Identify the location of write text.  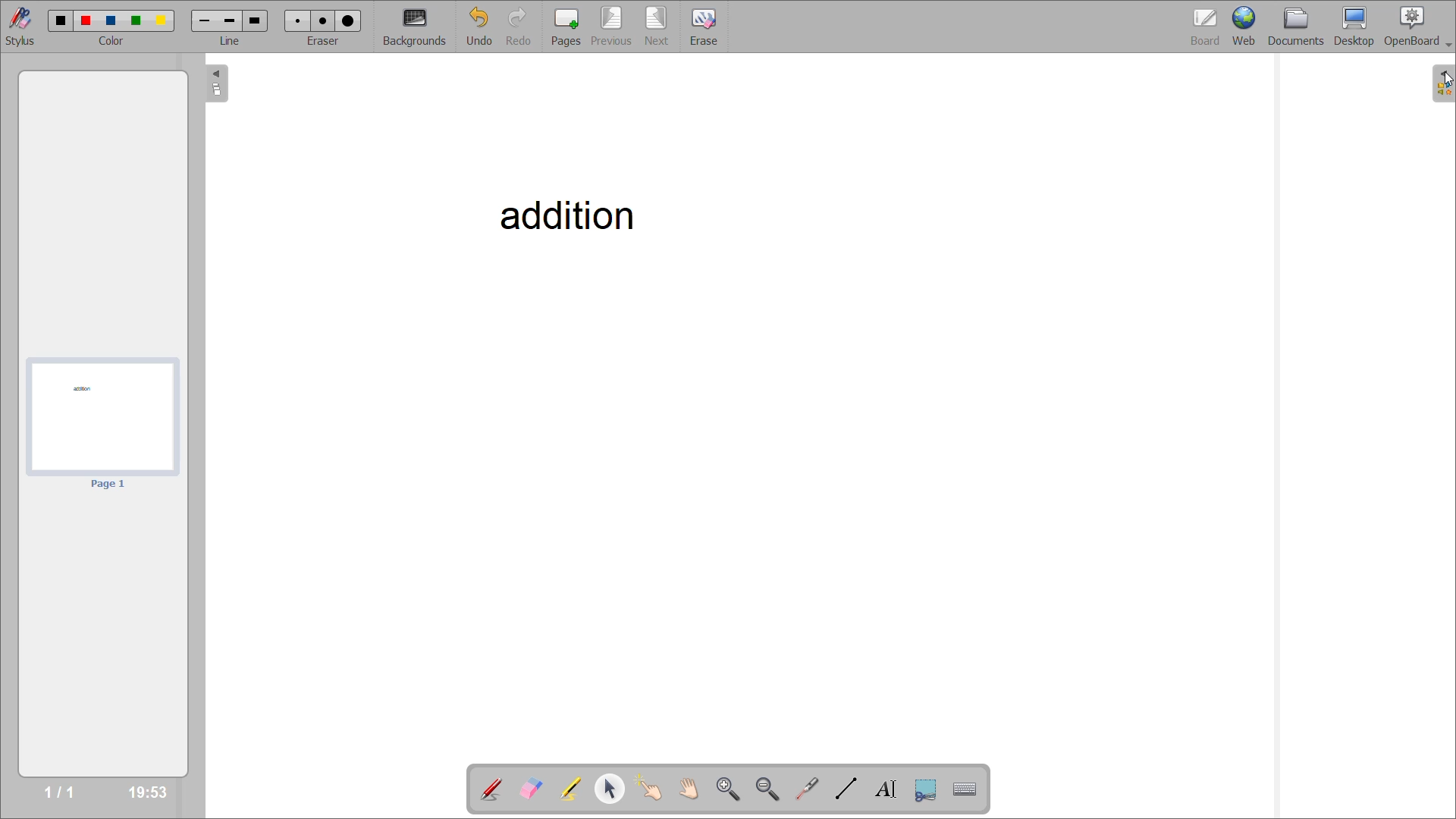
(890, 789).